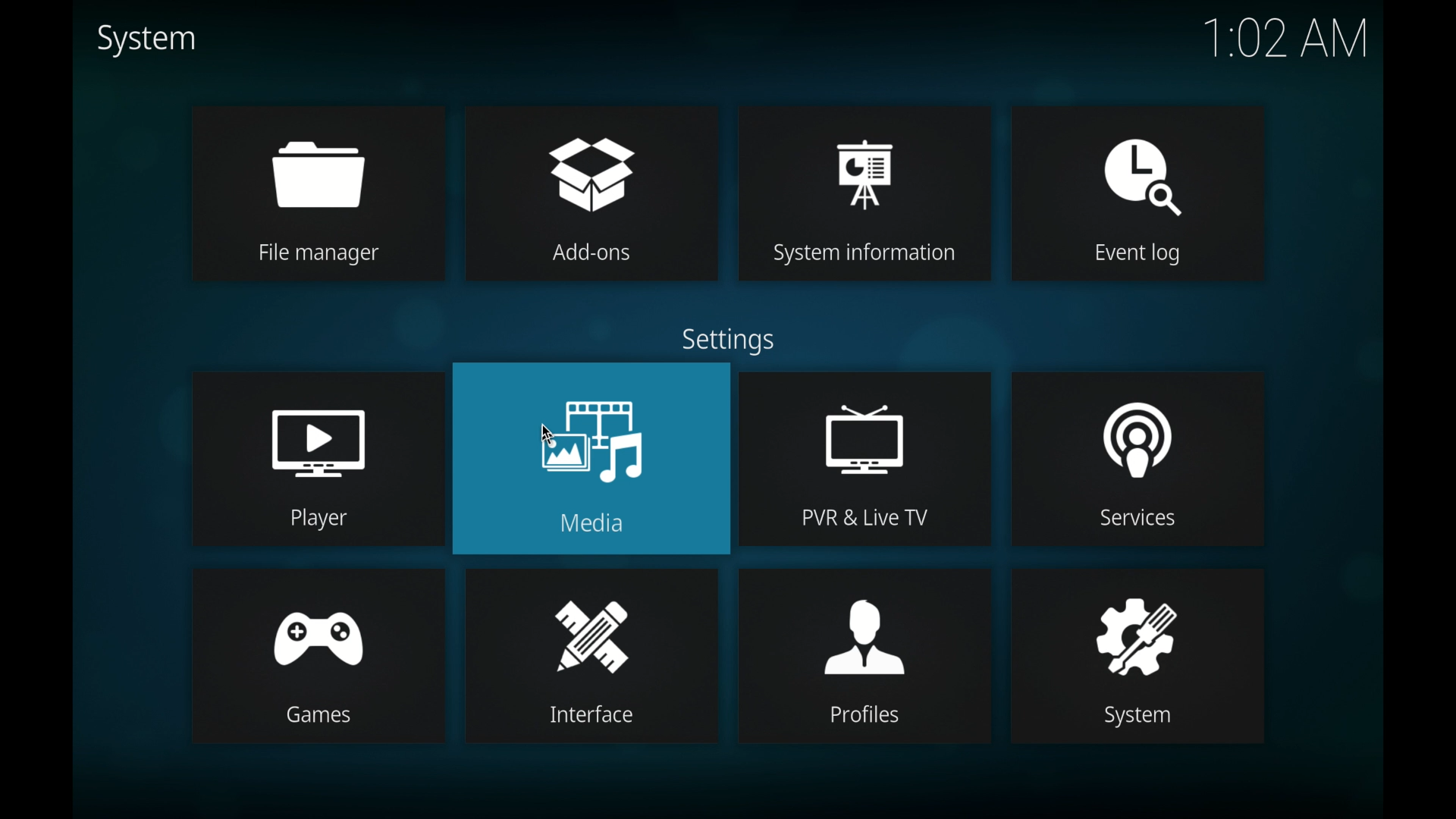 The image size is (1456, 819). I want to click on profiles, so click(864, 622).